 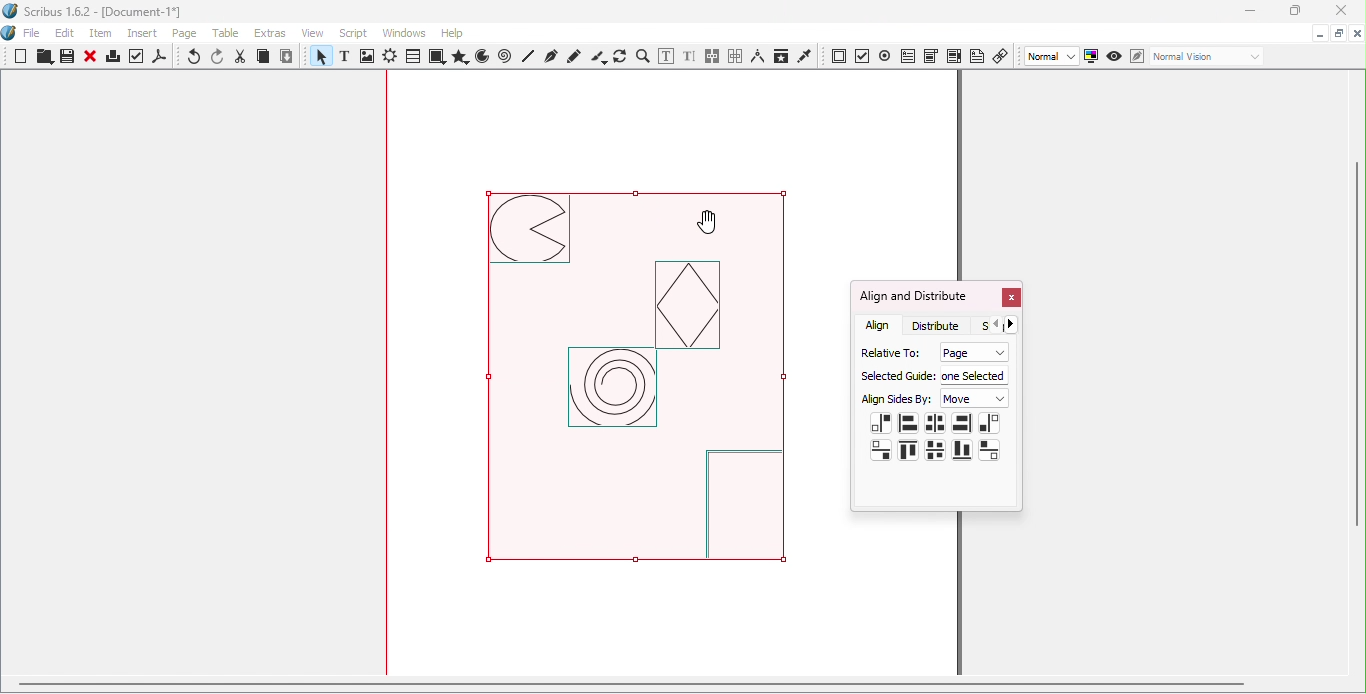 What do you see at coordinates (90, 58) in the screenshot?
I see `Close` at bounding box center [90, 58].